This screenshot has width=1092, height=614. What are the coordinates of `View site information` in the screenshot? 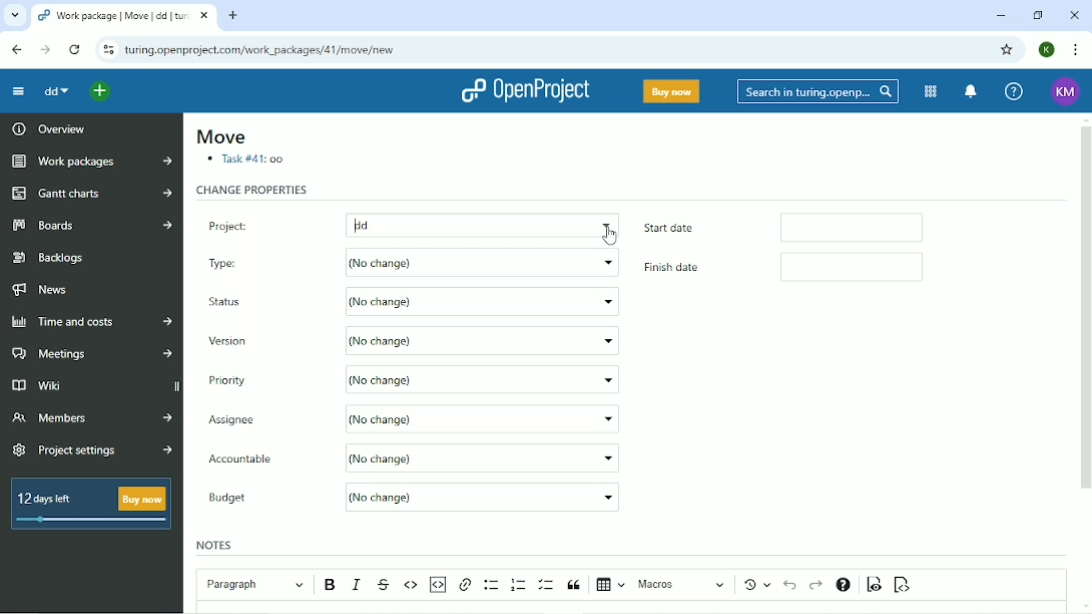 It's located at (107, 50).